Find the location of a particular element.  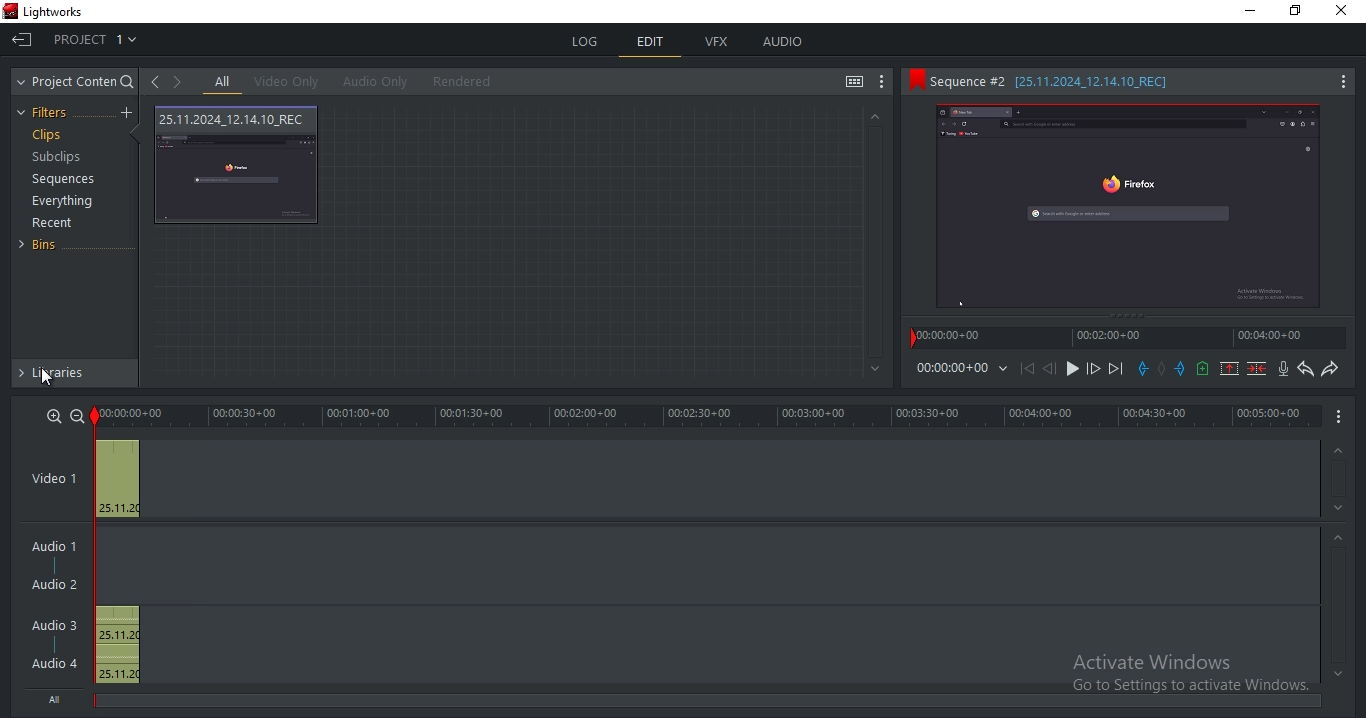

record audio is located at coordinates (1282, 370).